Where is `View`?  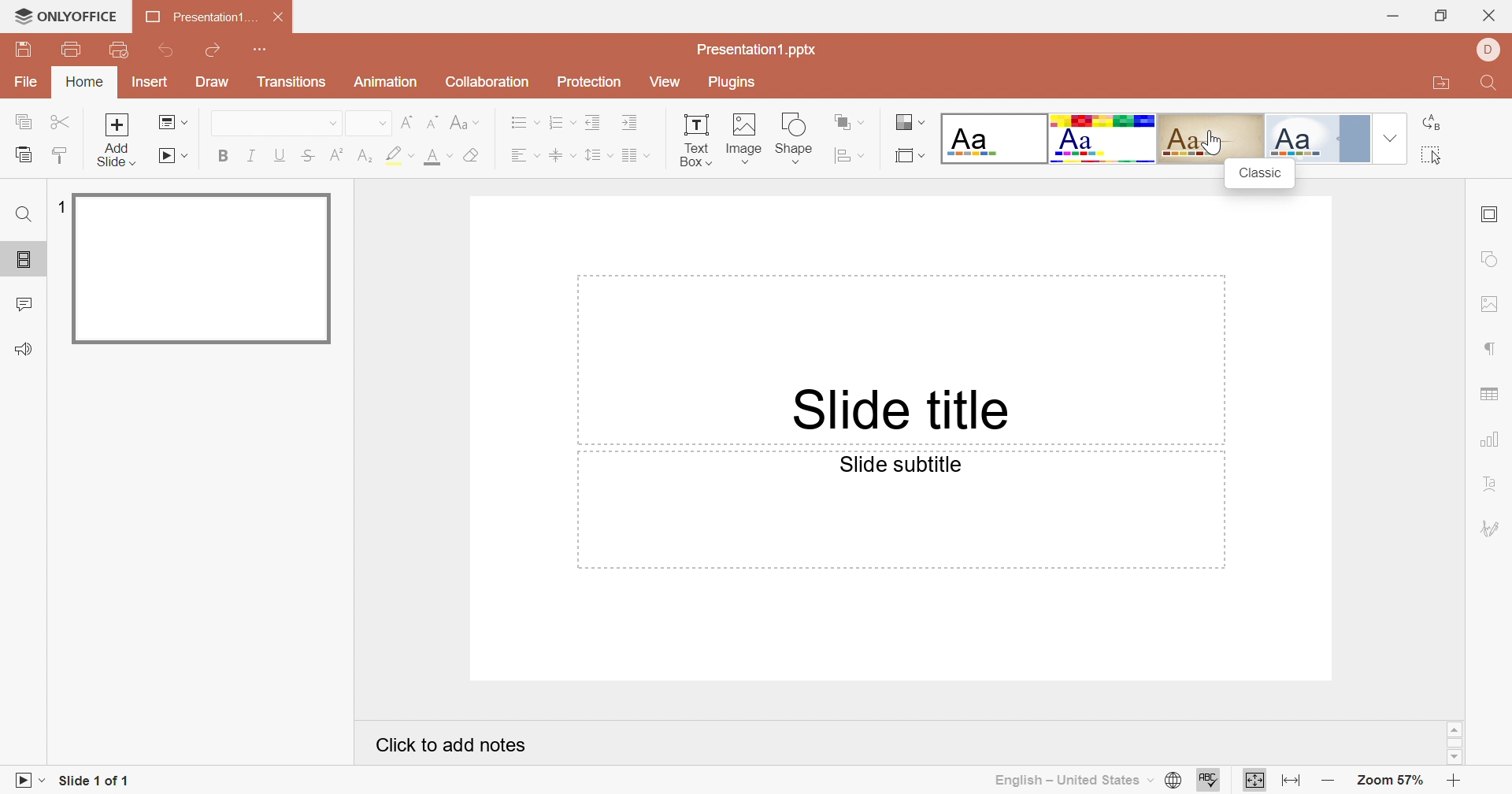
View is located at coordinates (666, 82).